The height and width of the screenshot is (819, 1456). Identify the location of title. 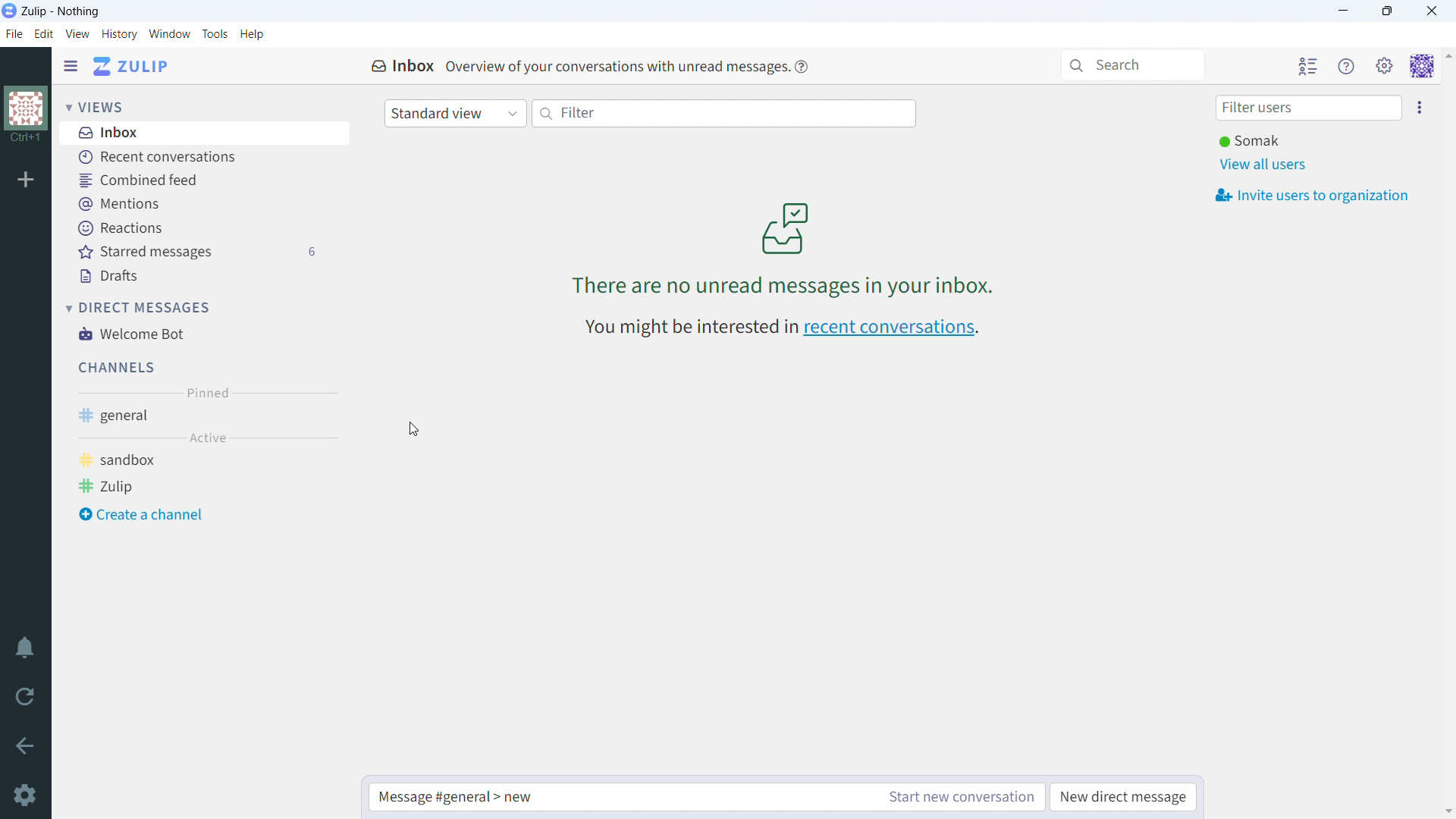
(61, 11).